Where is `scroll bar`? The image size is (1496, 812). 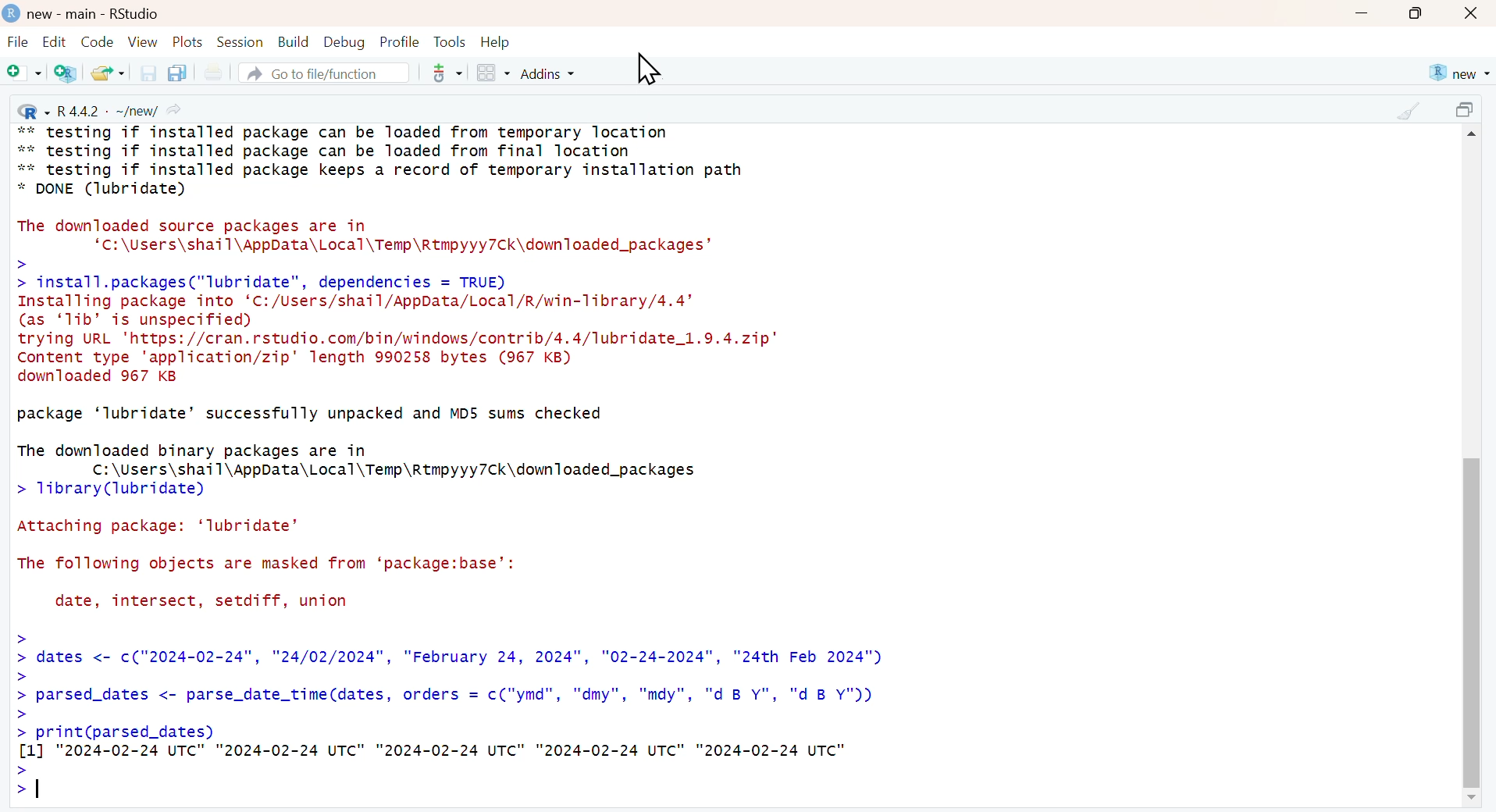 scroll bar is located at coordinates (1471, 598).